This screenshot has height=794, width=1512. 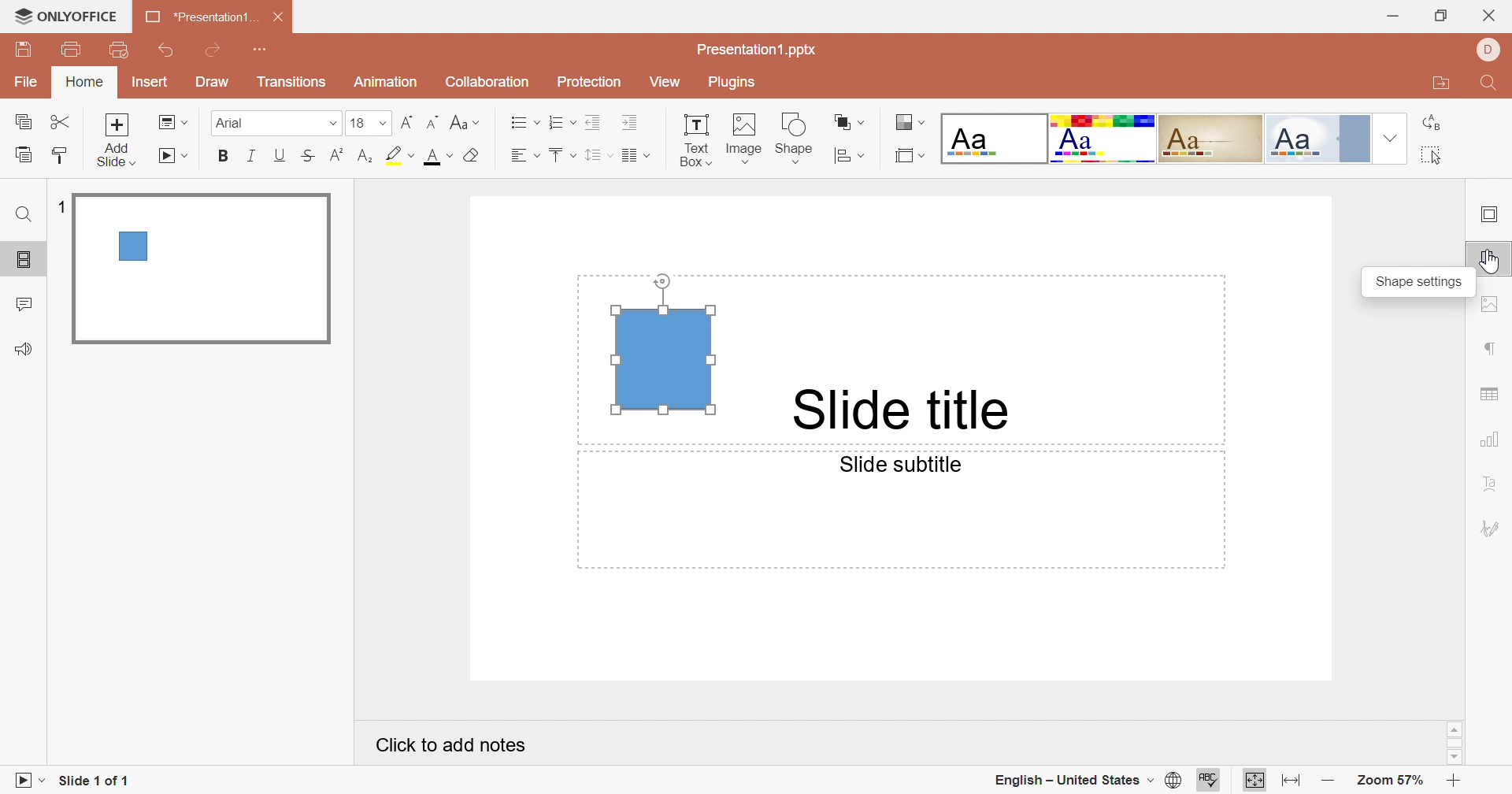 I want to click on Slide subtitles, so click(x=913, y=469).